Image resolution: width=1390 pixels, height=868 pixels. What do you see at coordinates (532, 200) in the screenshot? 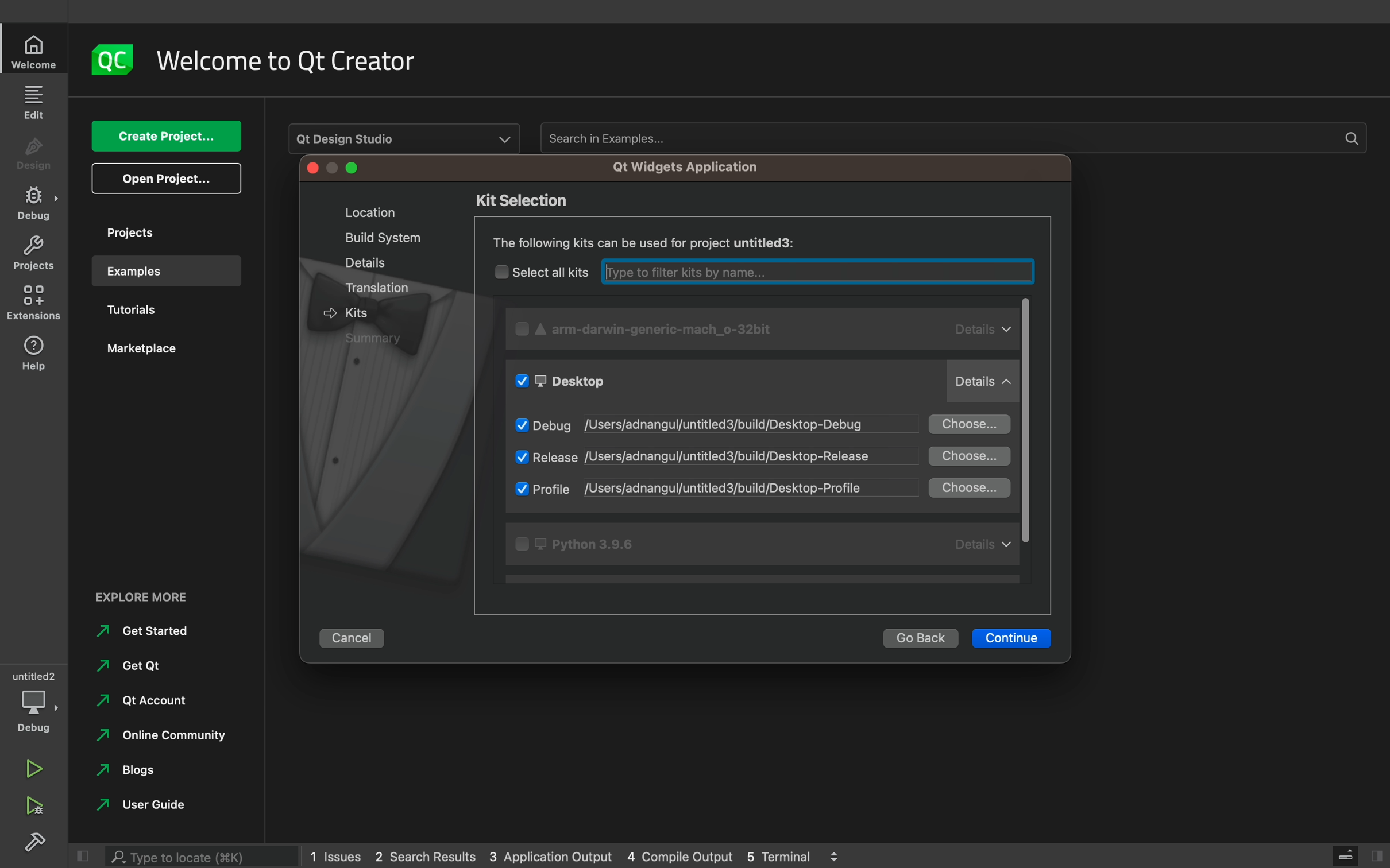
I see `kit selection` at bounding box center [532, 200].